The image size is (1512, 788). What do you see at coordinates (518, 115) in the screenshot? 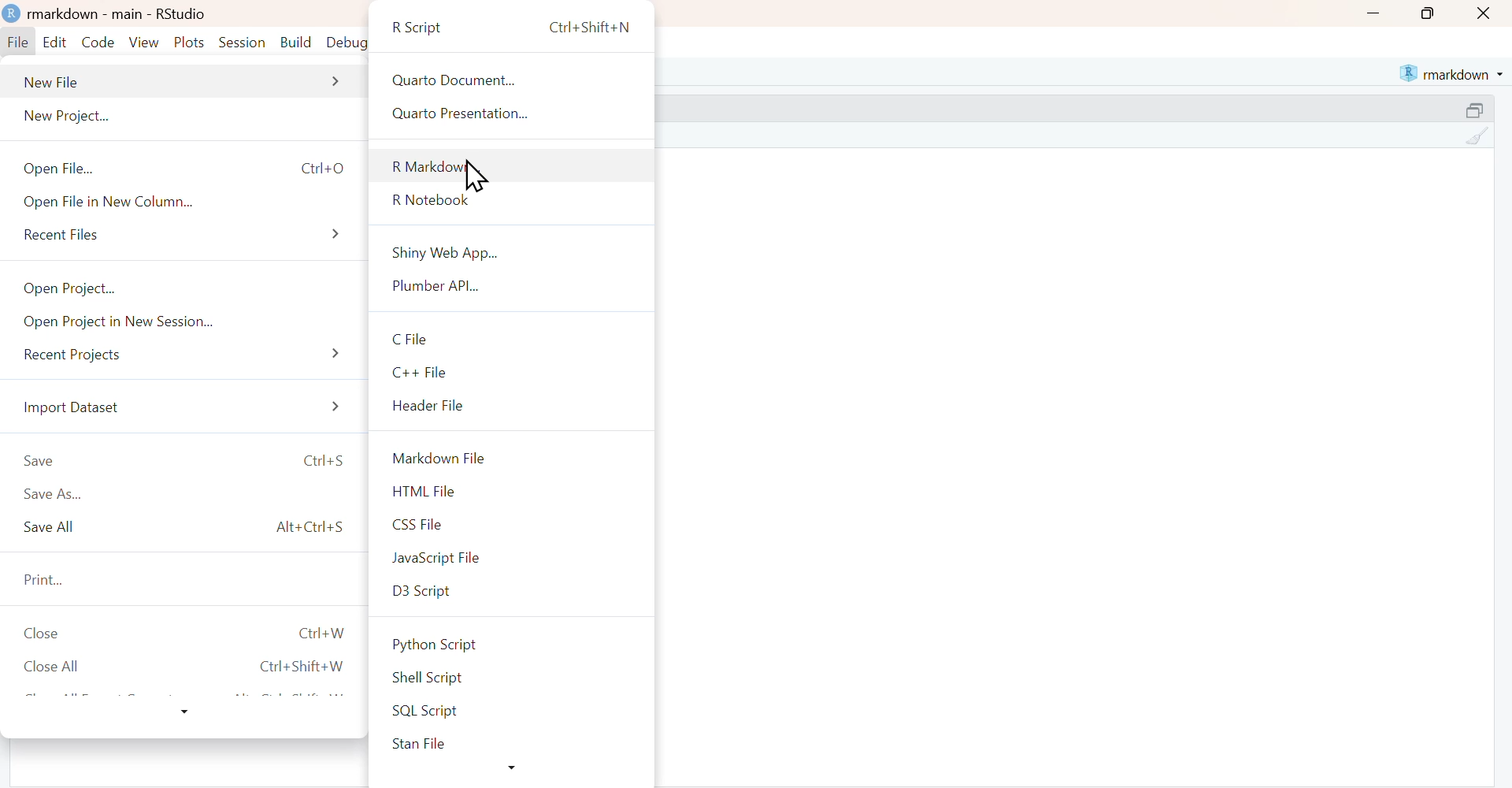
I see `Quarto Presentation...` at bounding box center [518, 115].